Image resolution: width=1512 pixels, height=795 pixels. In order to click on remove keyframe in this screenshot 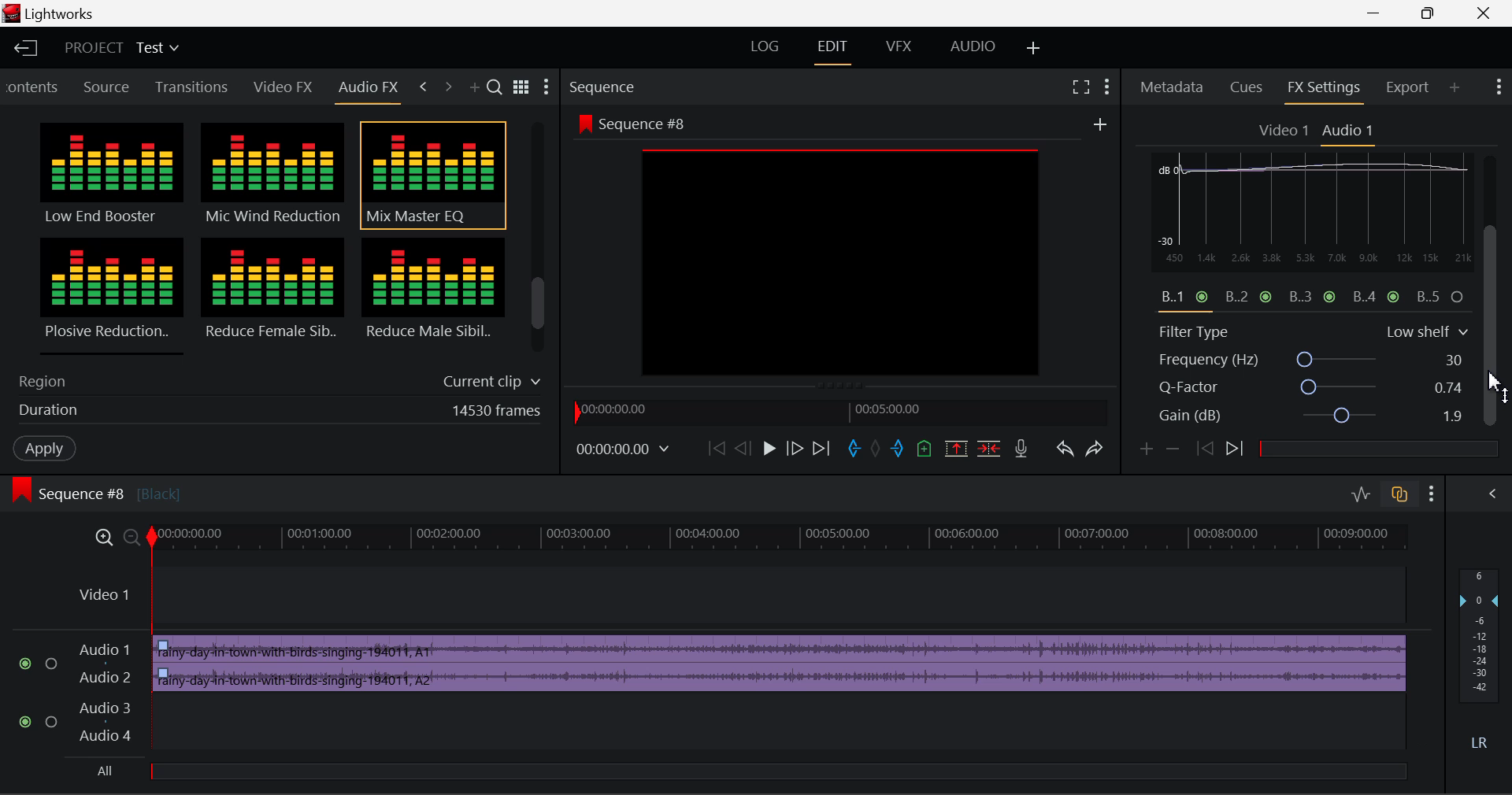, I will do `click(1177, 449)`.